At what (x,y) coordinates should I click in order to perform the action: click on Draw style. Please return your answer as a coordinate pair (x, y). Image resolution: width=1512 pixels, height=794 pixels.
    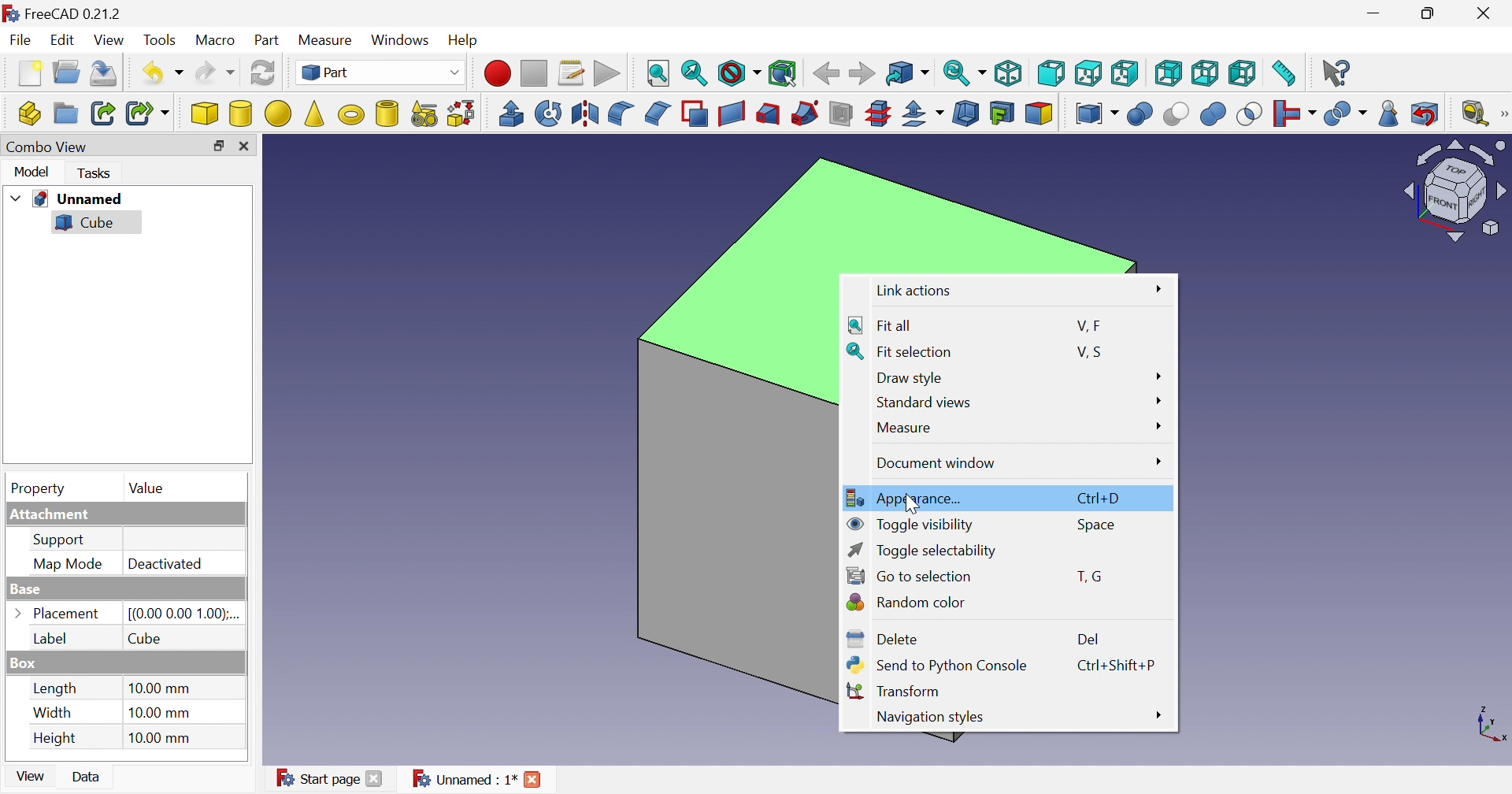
    Looking at the image, I should click on (740, 72).